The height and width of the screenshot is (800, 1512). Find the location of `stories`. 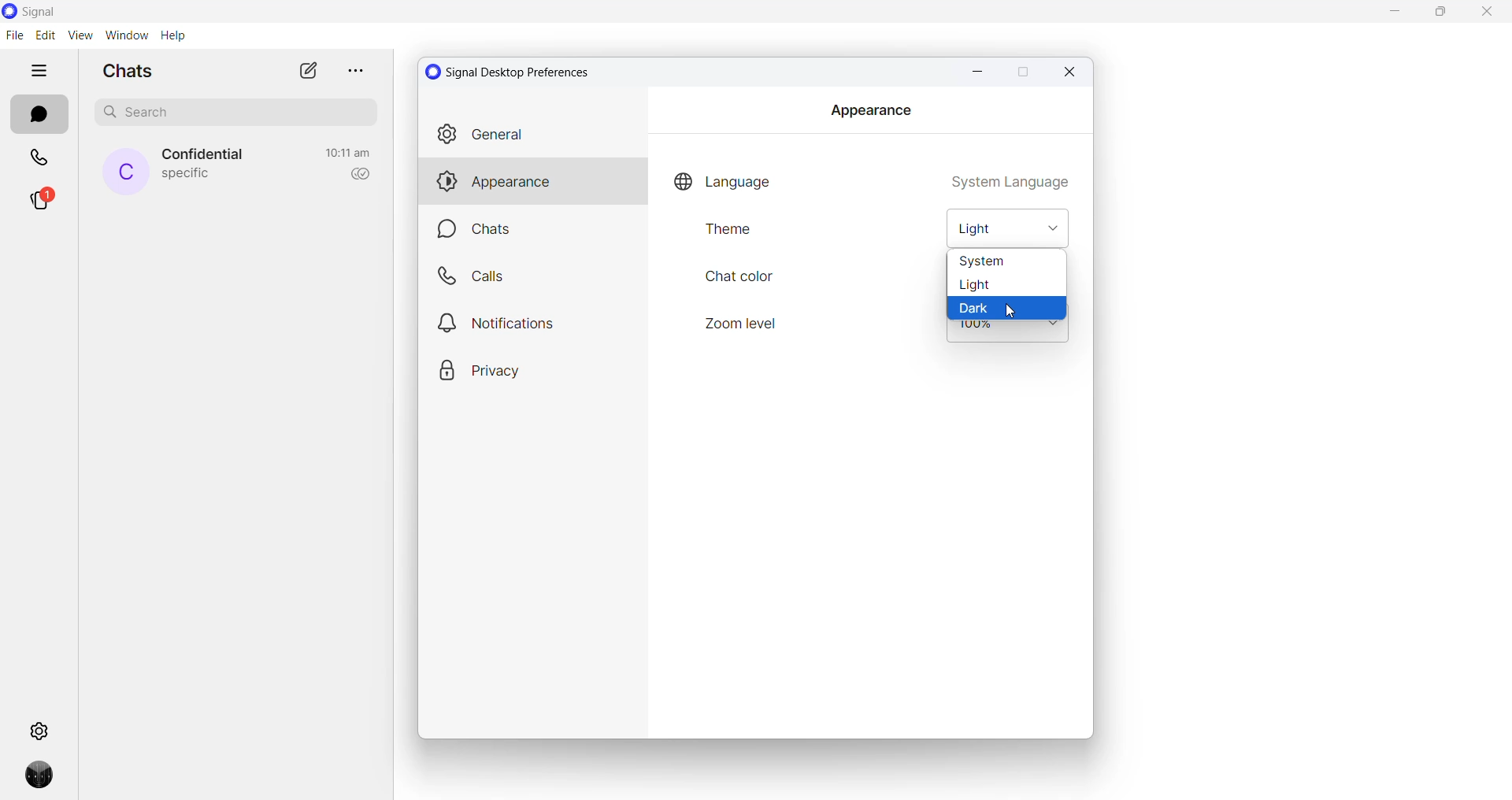

stories is located at coordinates (42, 202).